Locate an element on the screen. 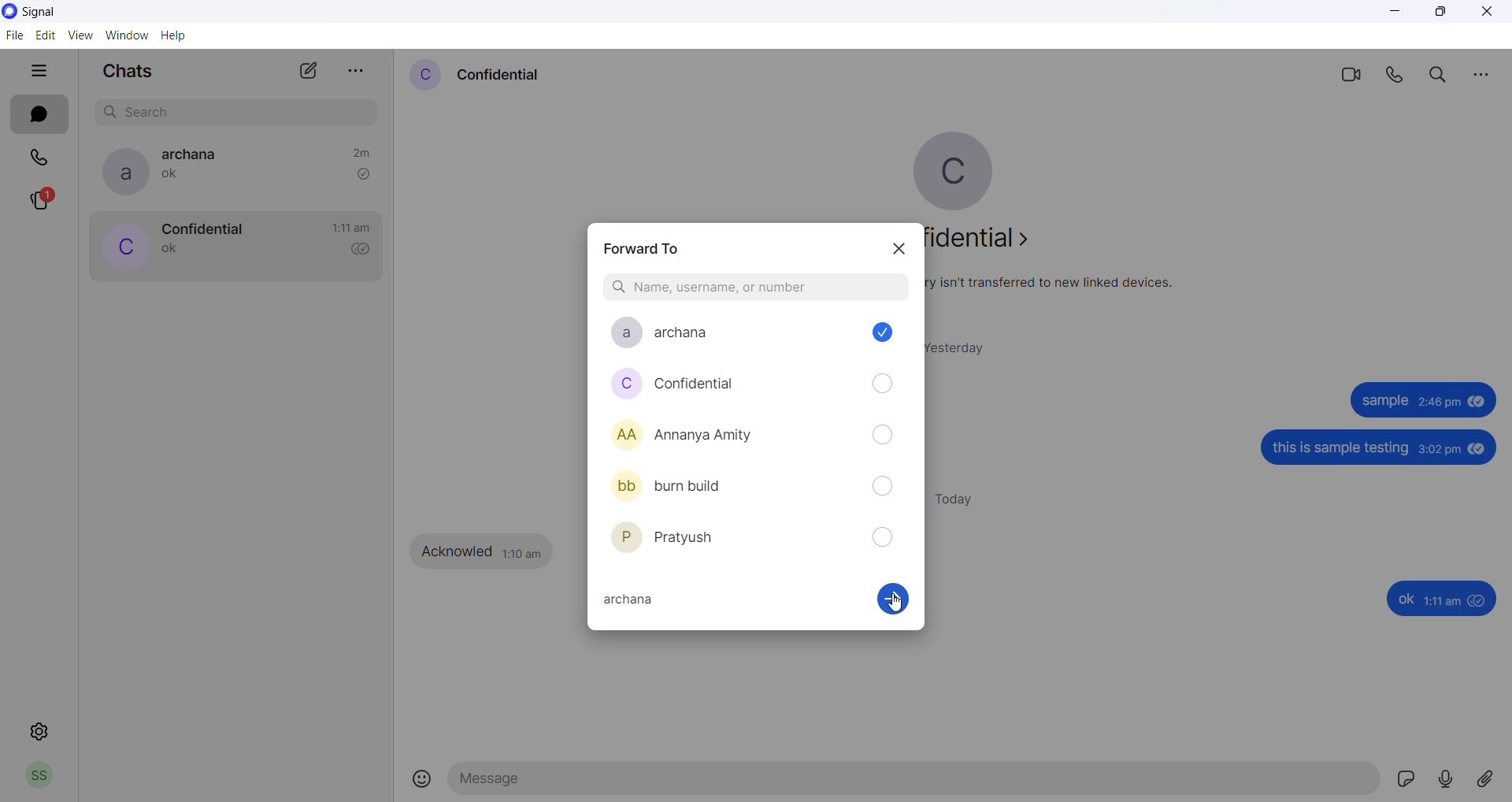 The image size is (1512, 802). time passed since last message is located at coordinates (361, 150).